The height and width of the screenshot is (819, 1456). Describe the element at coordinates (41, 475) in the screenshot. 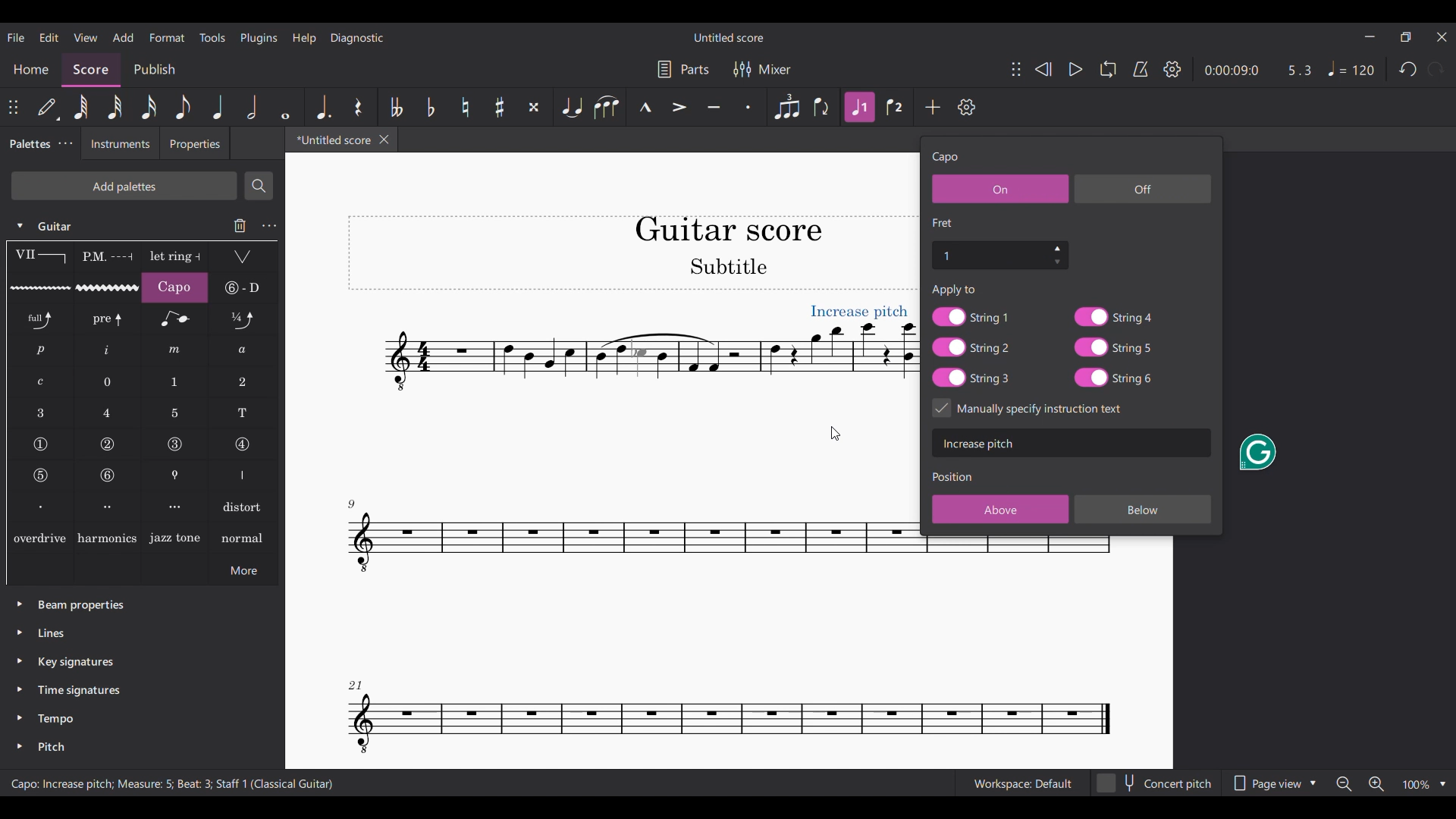

I see `String number 5` at that location.